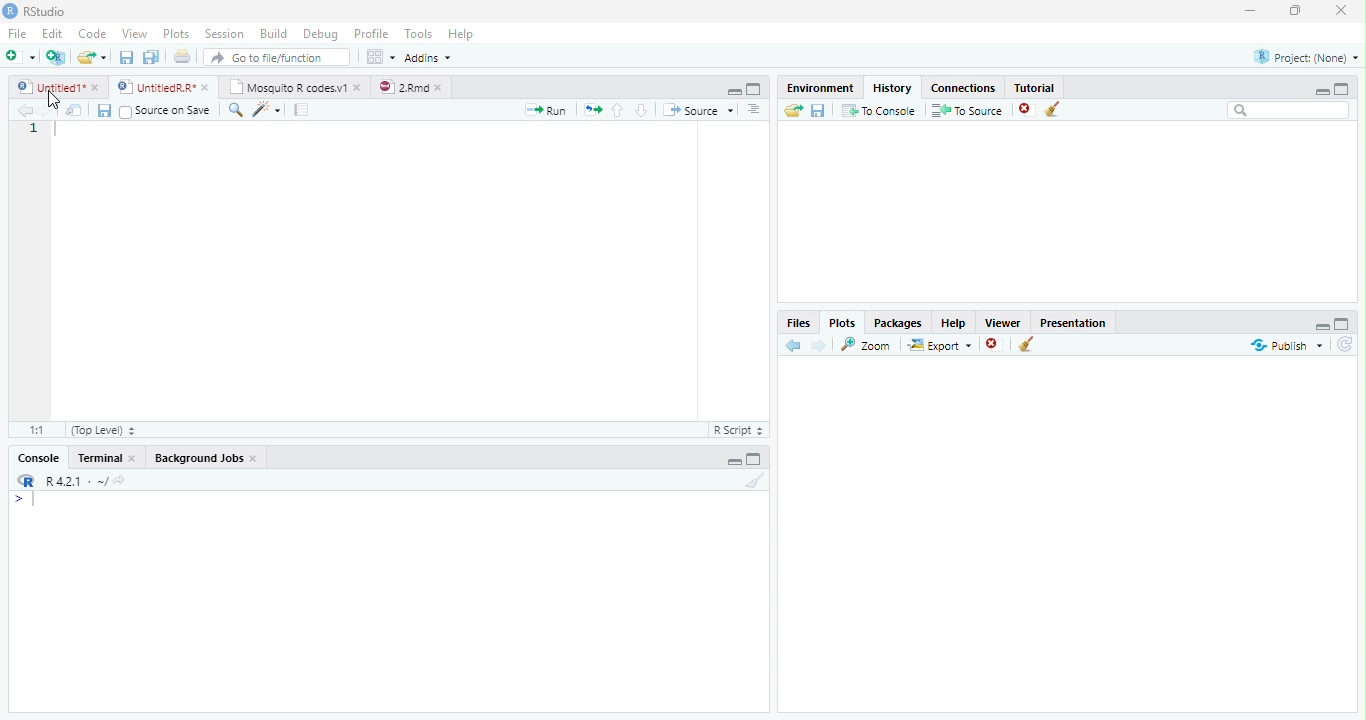  What do you see at coordinates (374, 33) in the screenshot?
I see `Profile` at bounding box center [374, 33].